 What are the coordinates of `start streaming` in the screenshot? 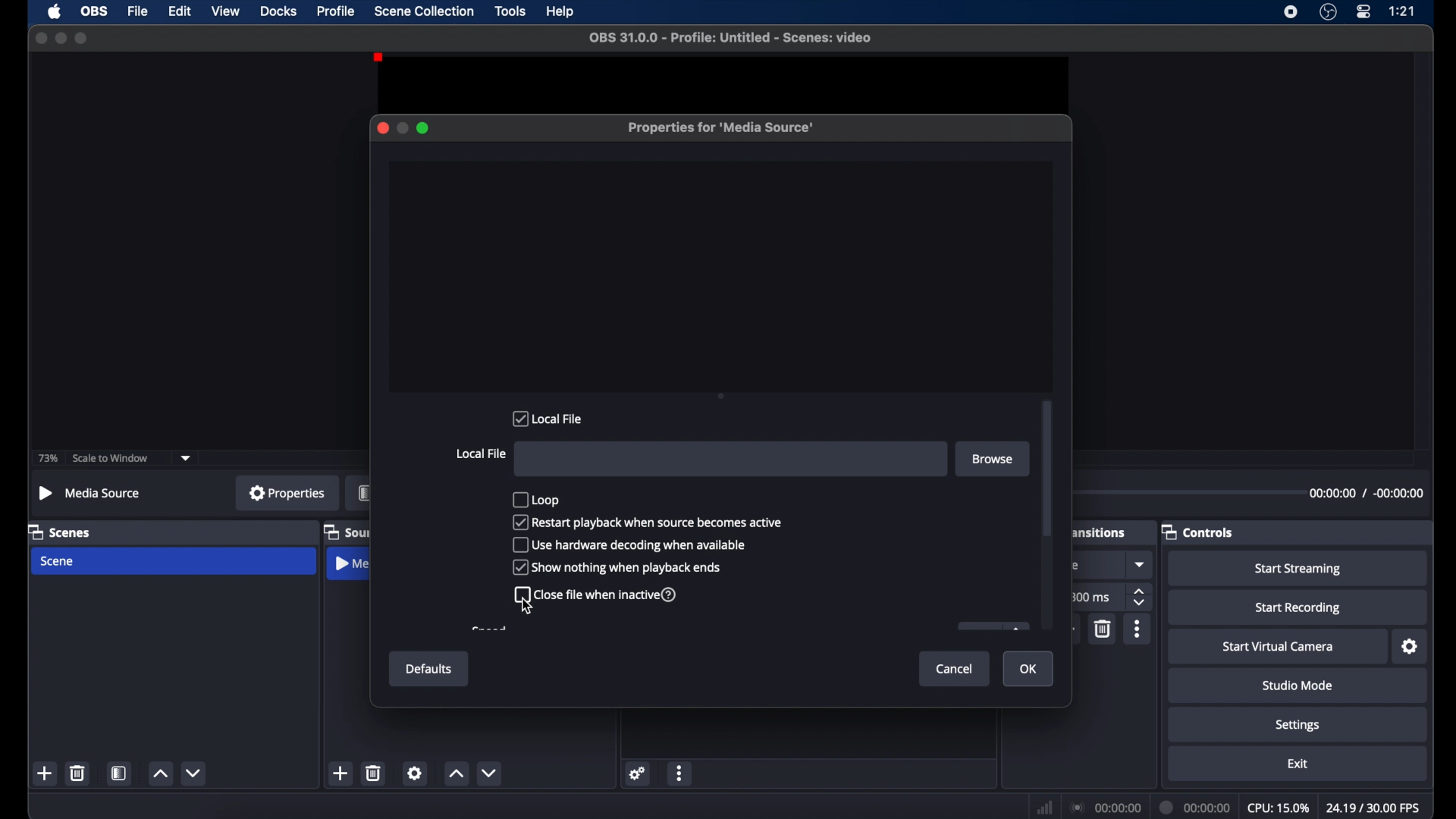 It's located at (1300, 568).